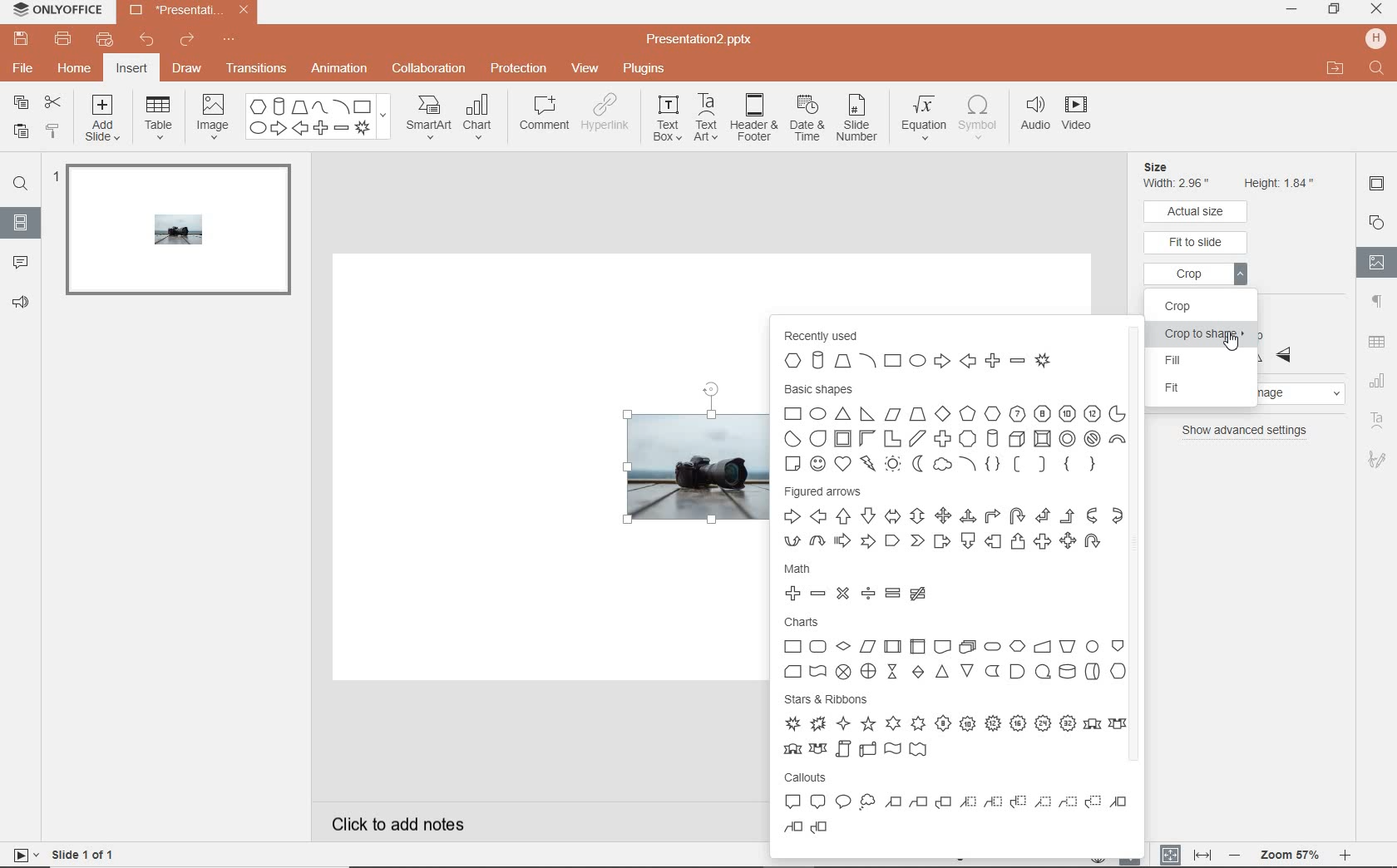 Image resolution: width=1397 pixels, height=868 pixels. I want to click on fit to page orwidth, so click(1184, 854).